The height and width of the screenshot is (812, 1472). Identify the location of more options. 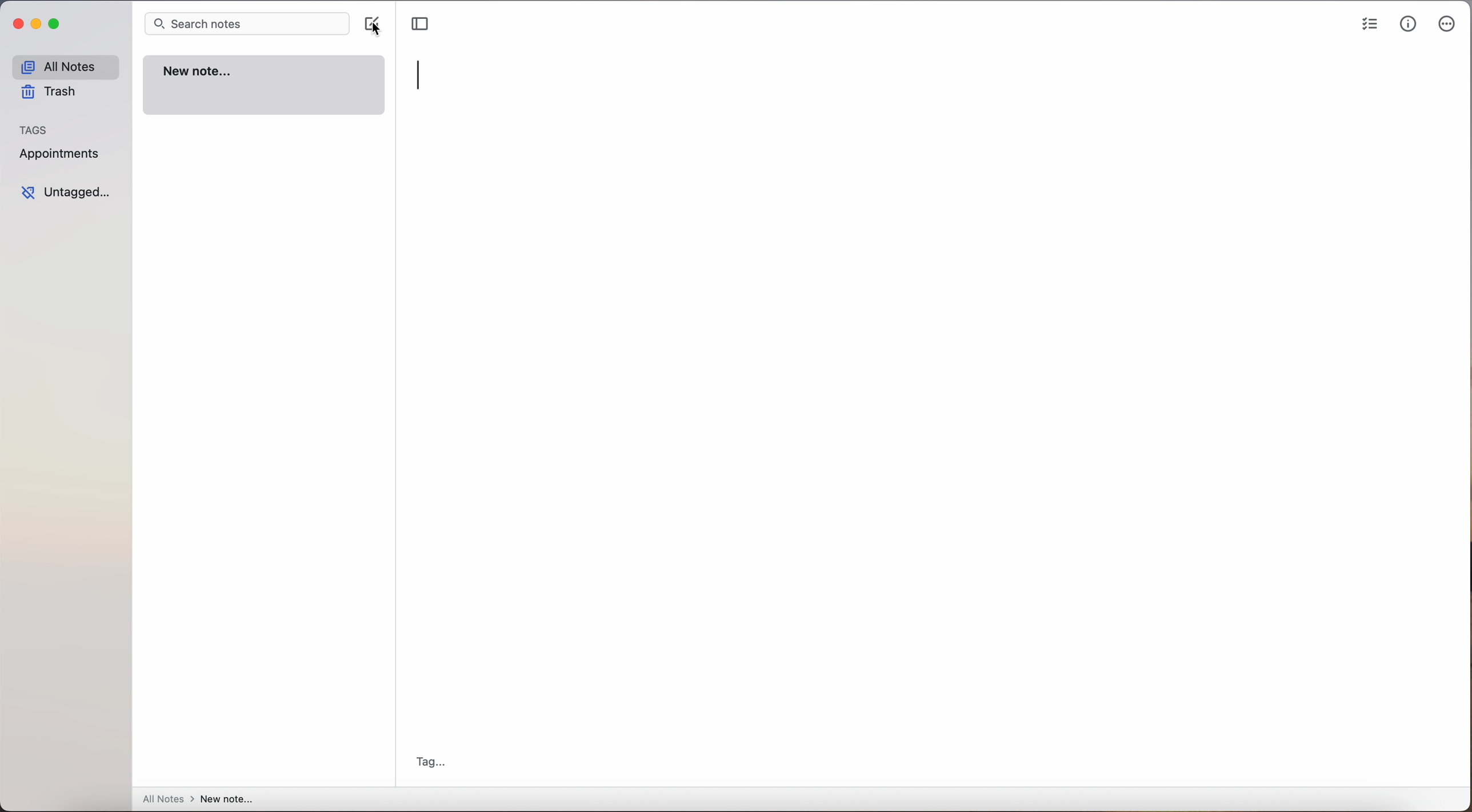
(1449, 23).